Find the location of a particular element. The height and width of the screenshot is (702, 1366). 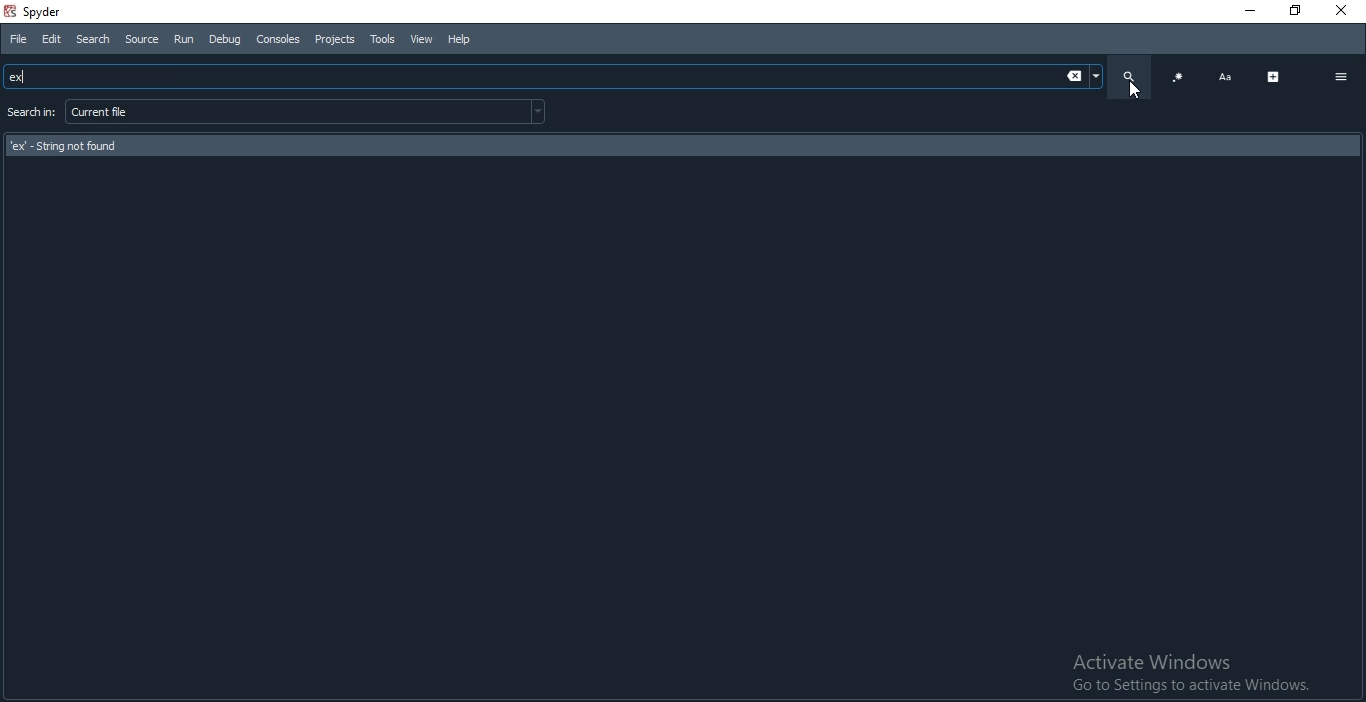

Run is located at coordinates (182, 38).